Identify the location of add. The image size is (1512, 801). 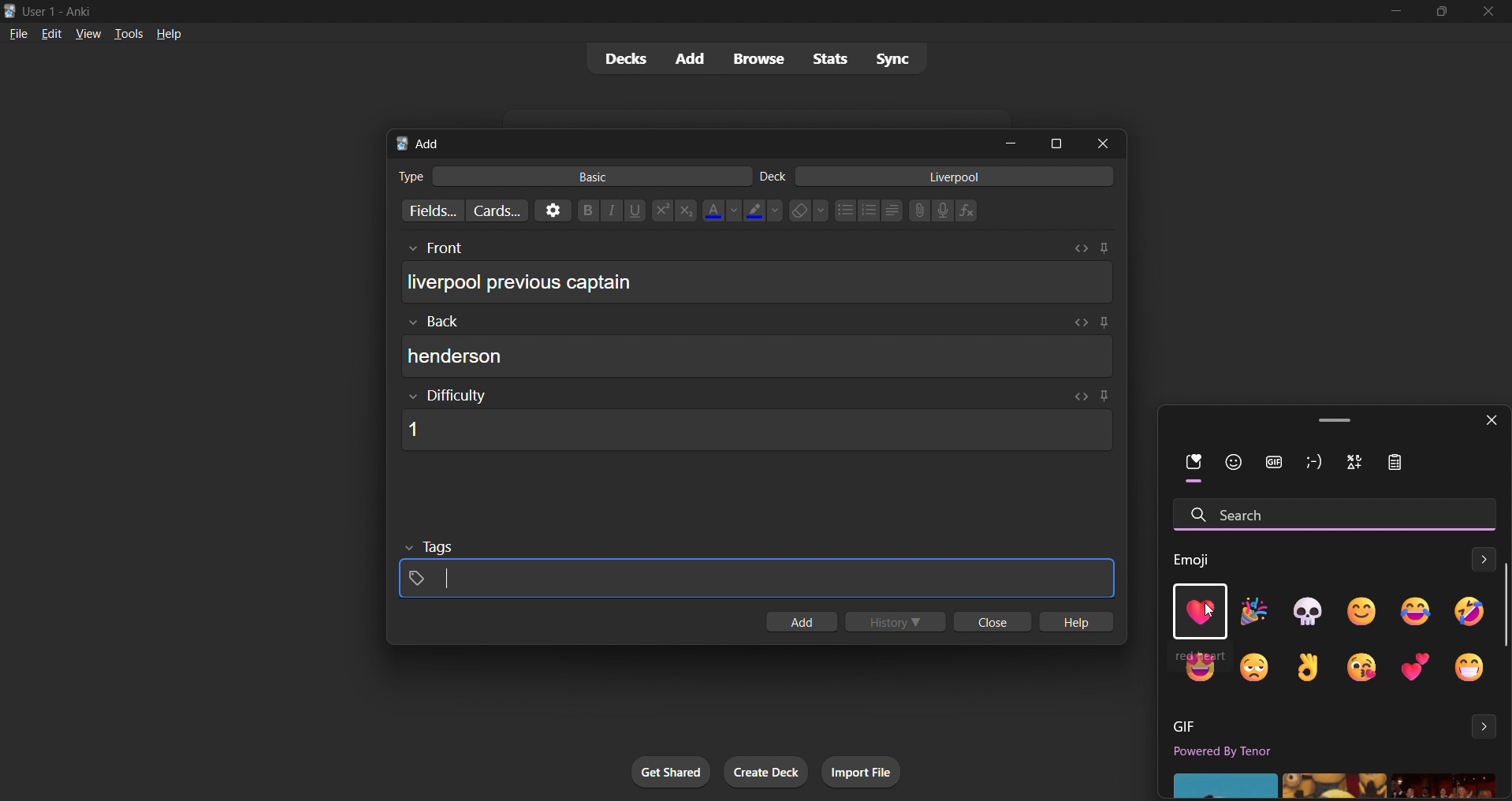
(799, 623).